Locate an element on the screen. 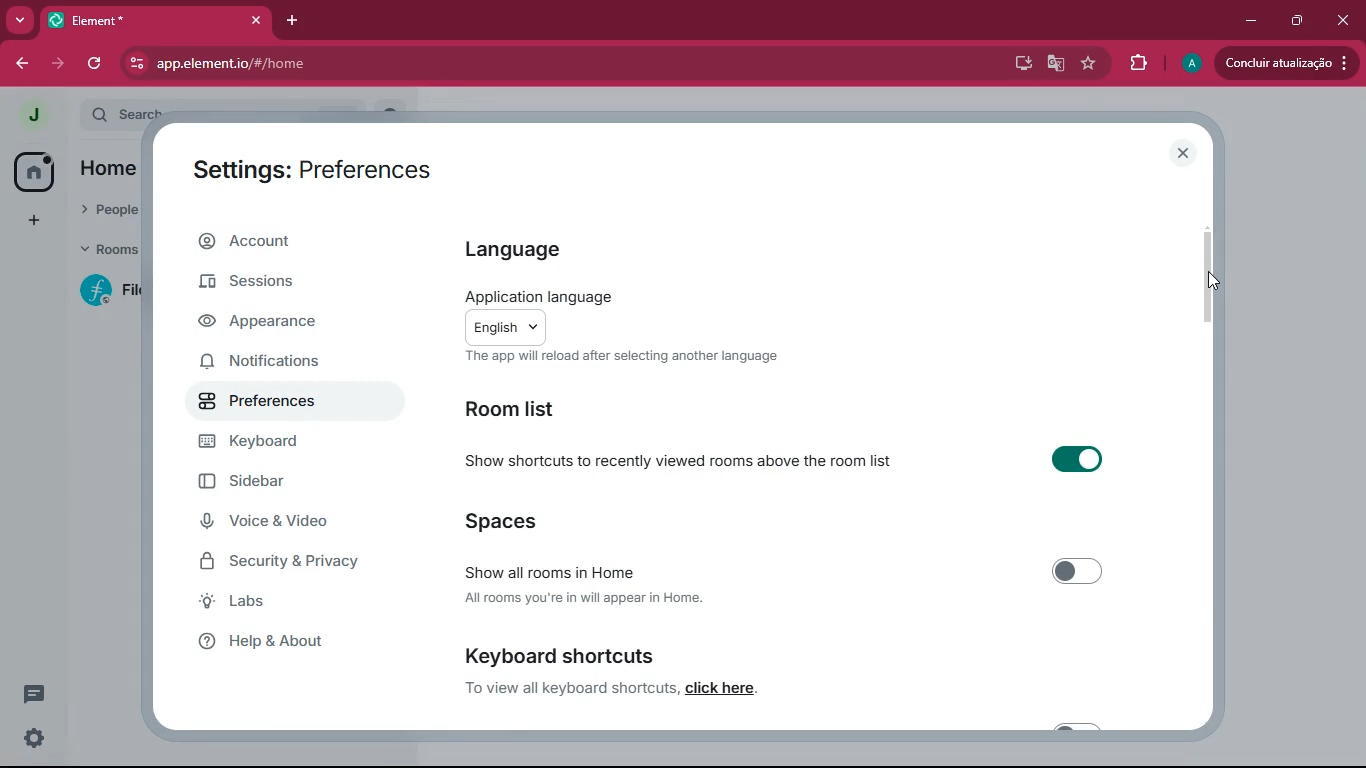  Show all rooms in Home is located at coordinates (804, 572).